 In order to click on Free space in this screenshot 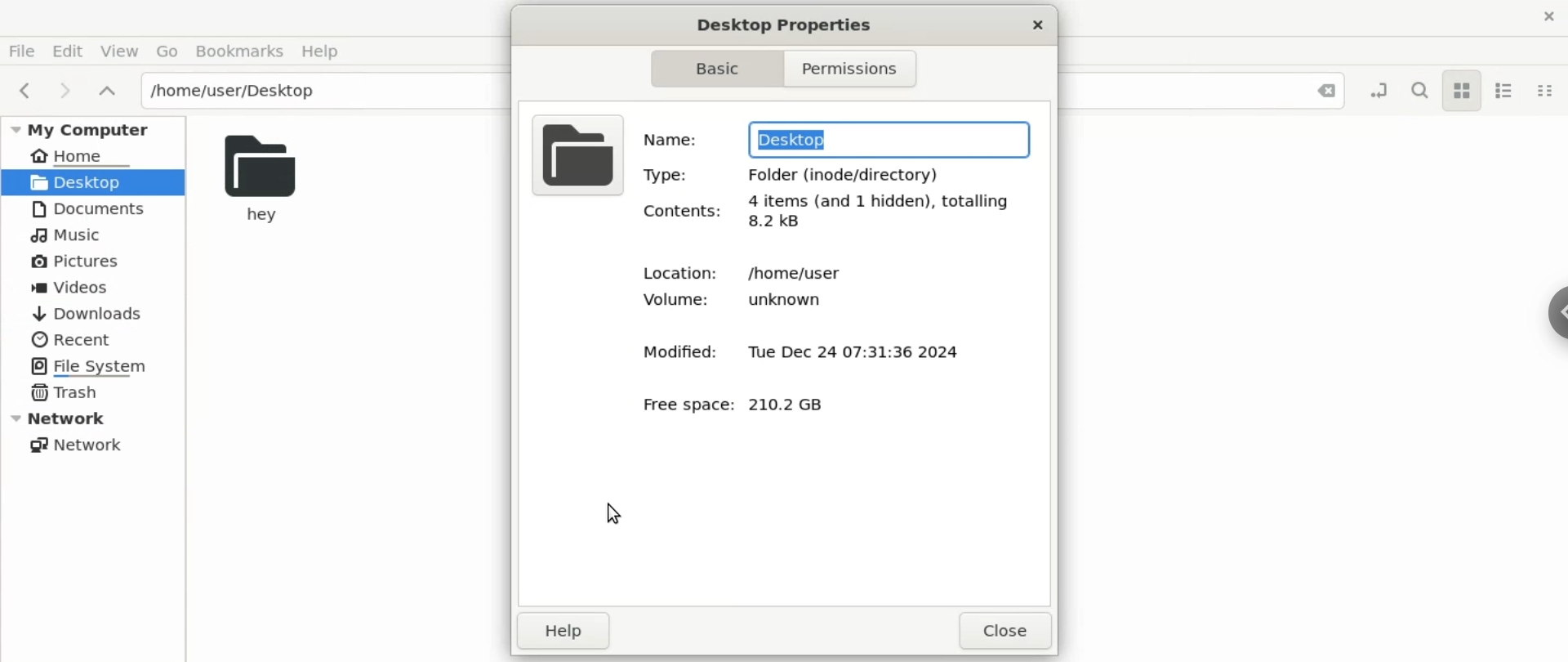, I will do `click(684, 410)`.